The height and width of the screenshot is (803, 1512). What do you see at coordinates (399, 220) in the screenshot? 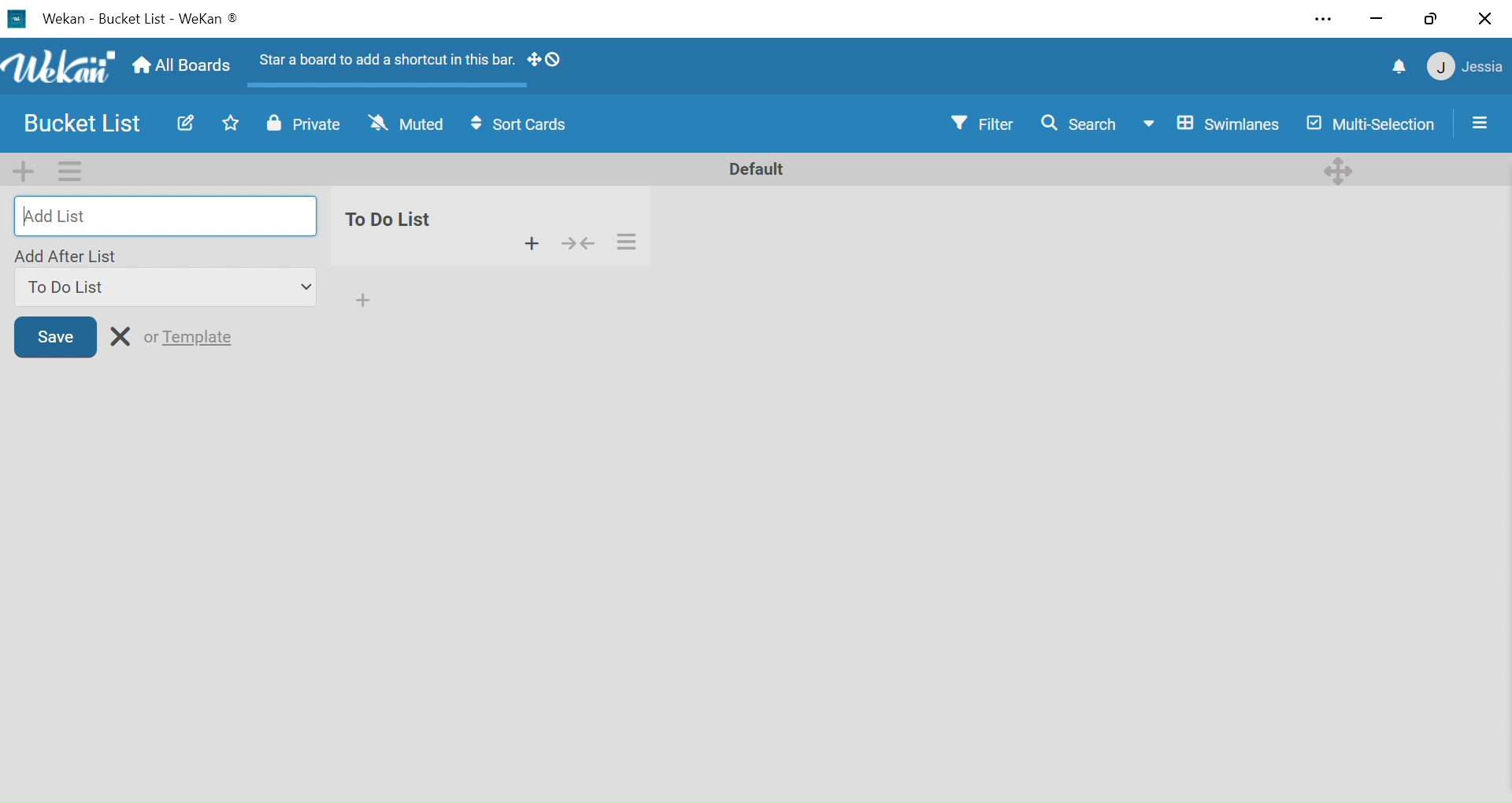
I see `List name` at bounding box center [399, 220].